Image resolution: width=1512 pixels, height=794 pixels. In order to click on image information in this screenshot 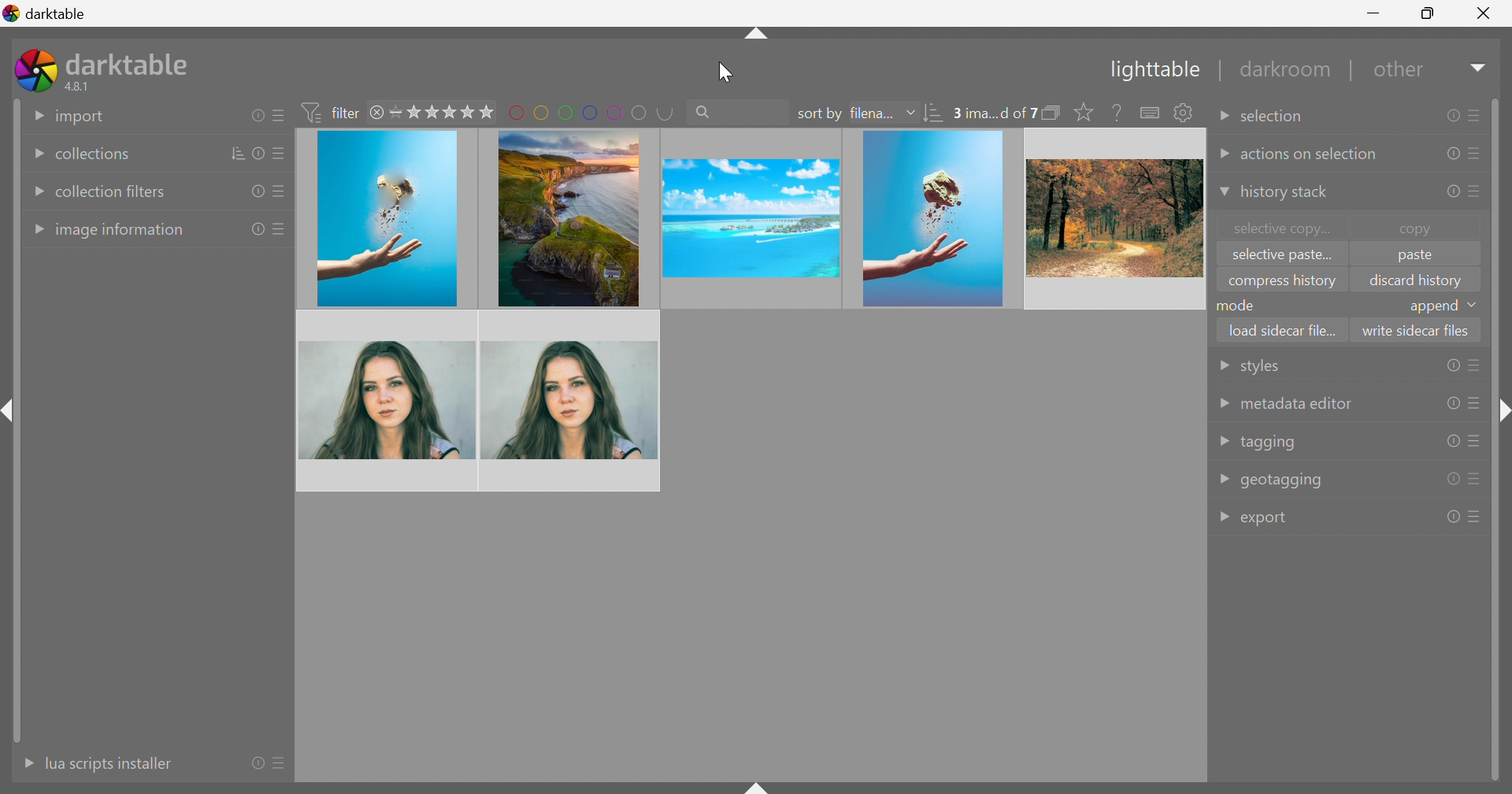, I will do `click(121, 232)`.